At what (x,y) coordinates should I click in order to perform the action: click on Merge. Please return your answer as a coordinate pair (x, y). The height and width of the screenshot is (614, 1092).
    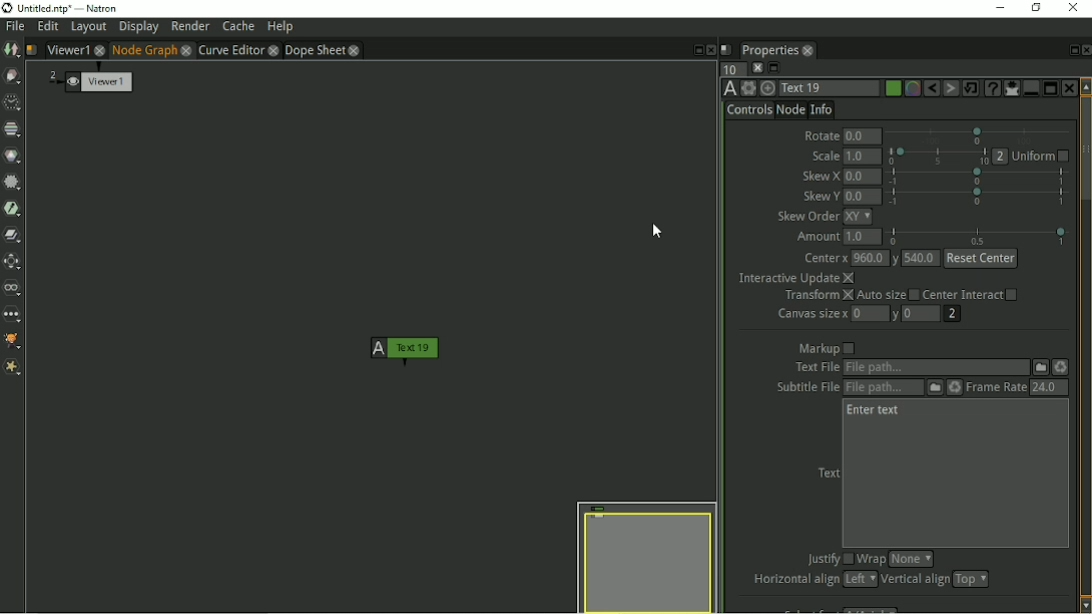
    Looking at the image, I should click on (14, 236).